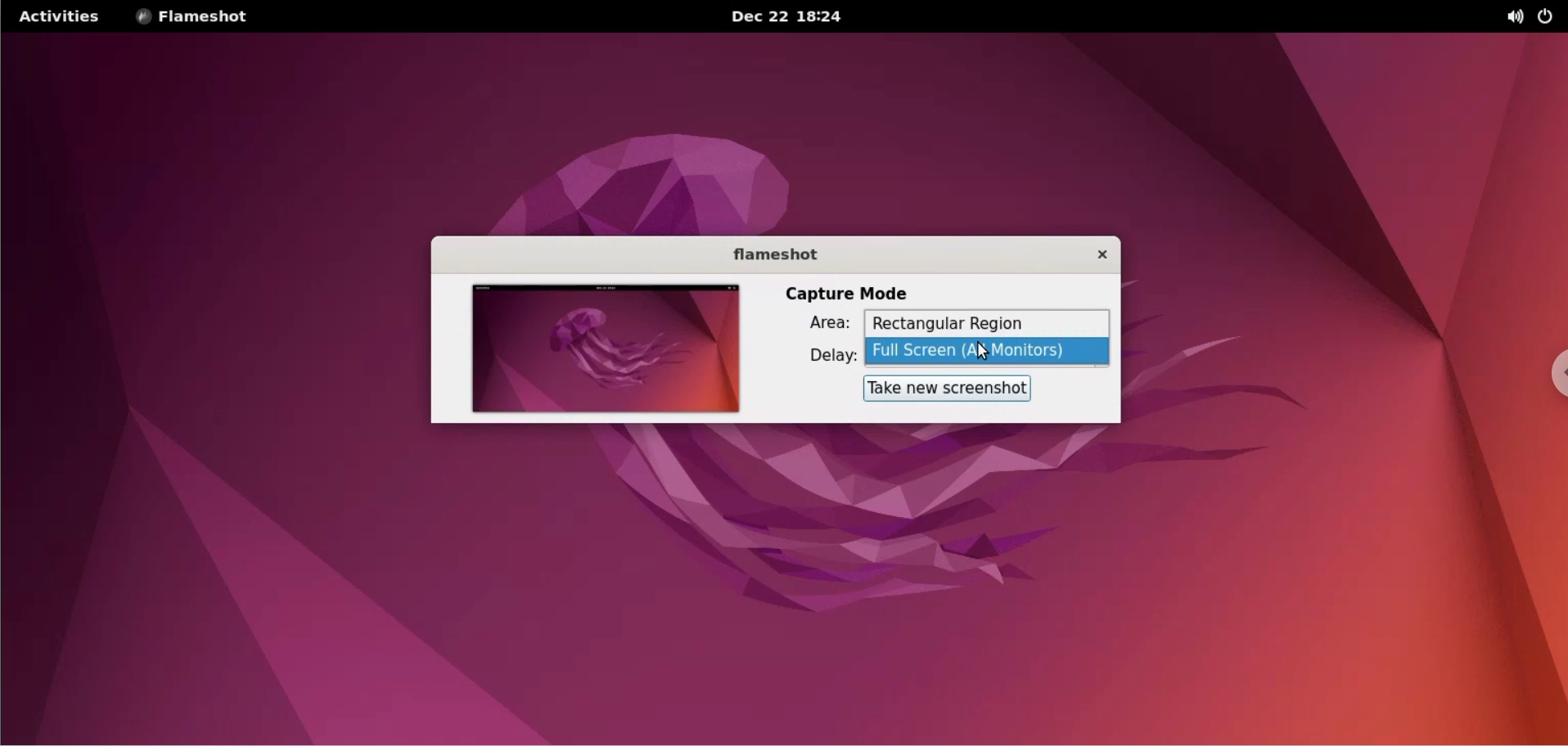  Describe the element at coordinates (205, 17) in the screenshot. I see `flameshot menu` at that location.